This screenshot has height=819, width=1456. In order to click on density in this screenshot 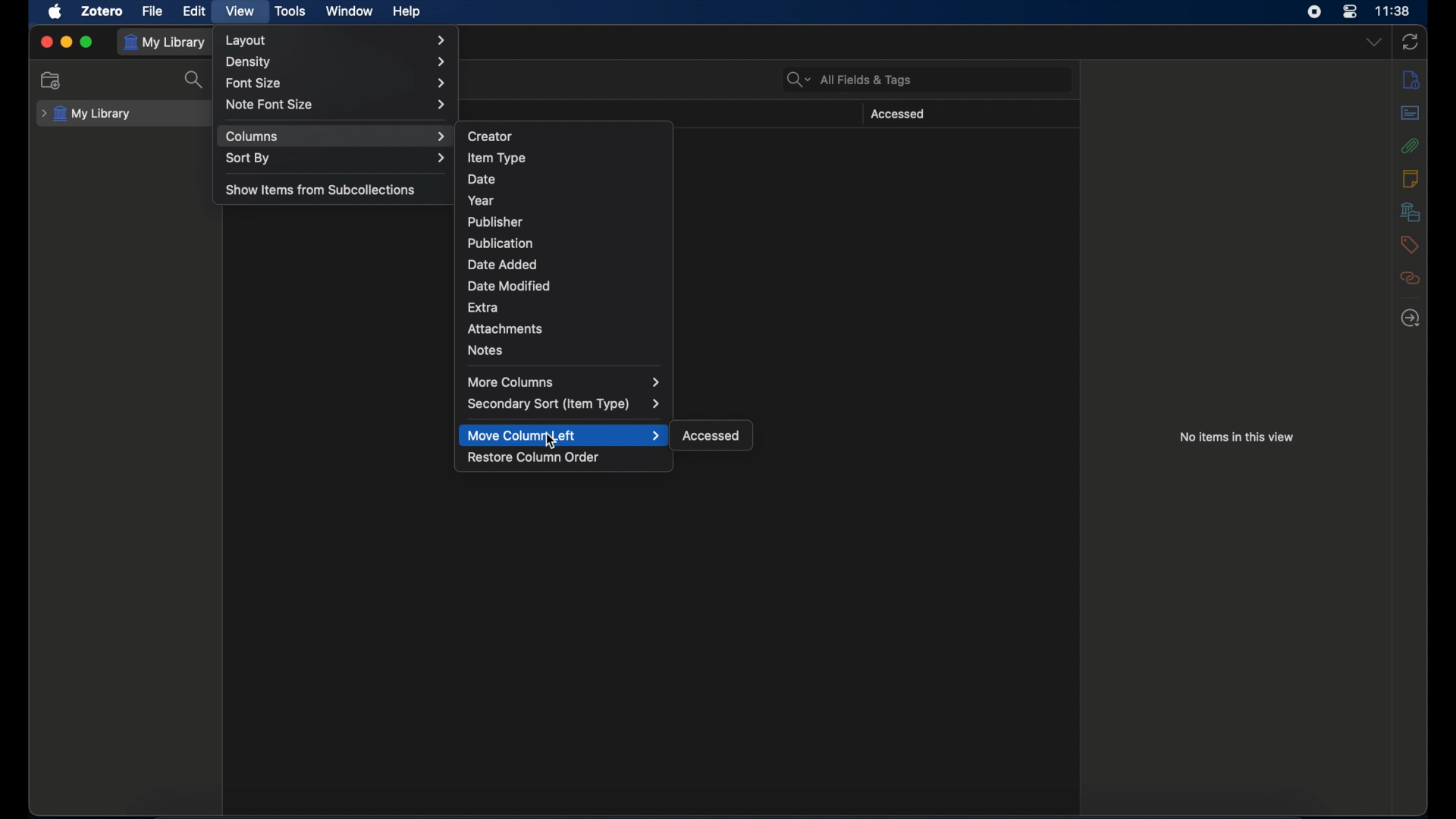, I will do `click(337, 62)`.